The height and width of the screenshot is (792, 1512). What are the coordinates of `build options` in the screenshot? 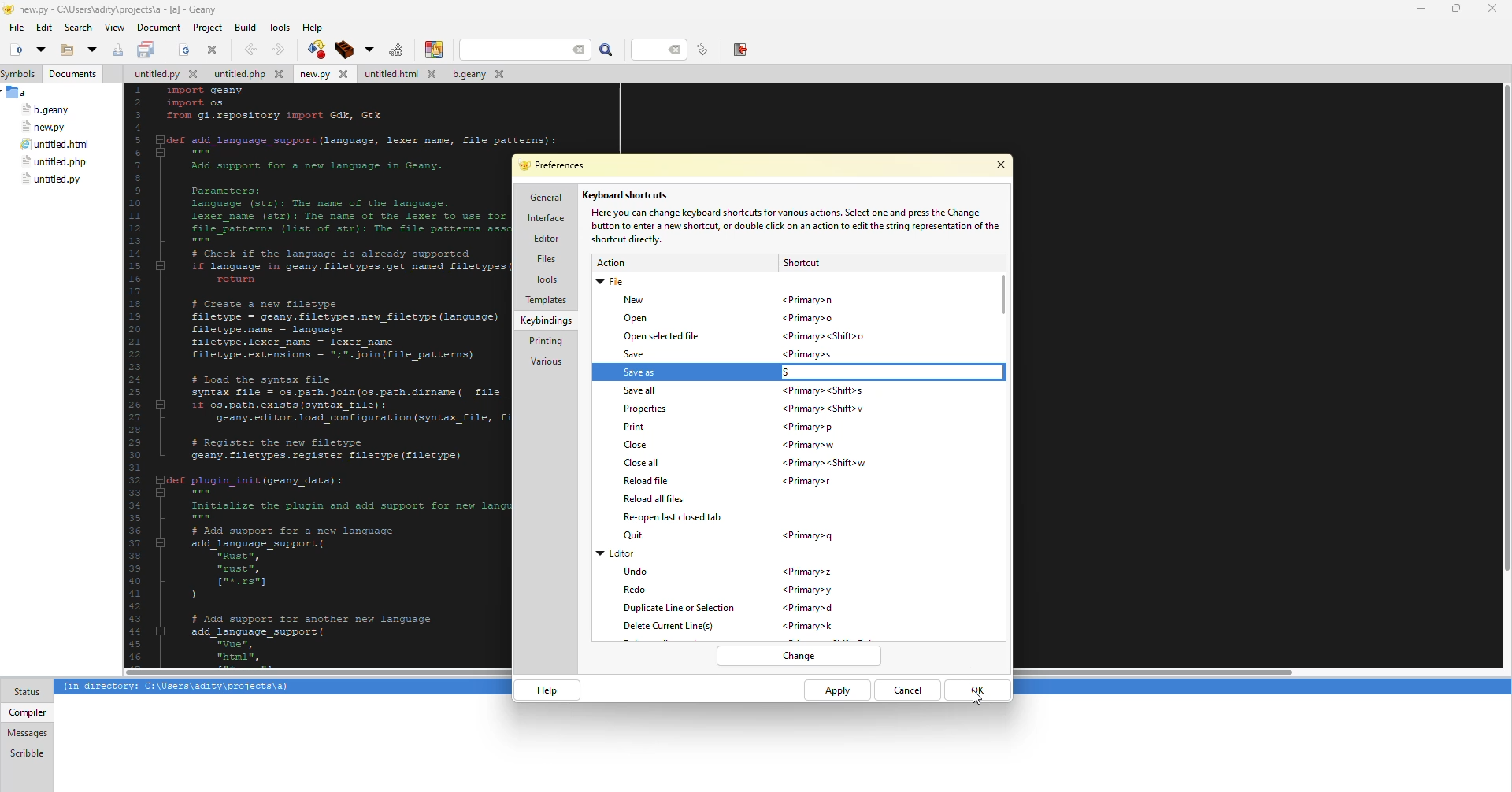 It's located at (367, 50).